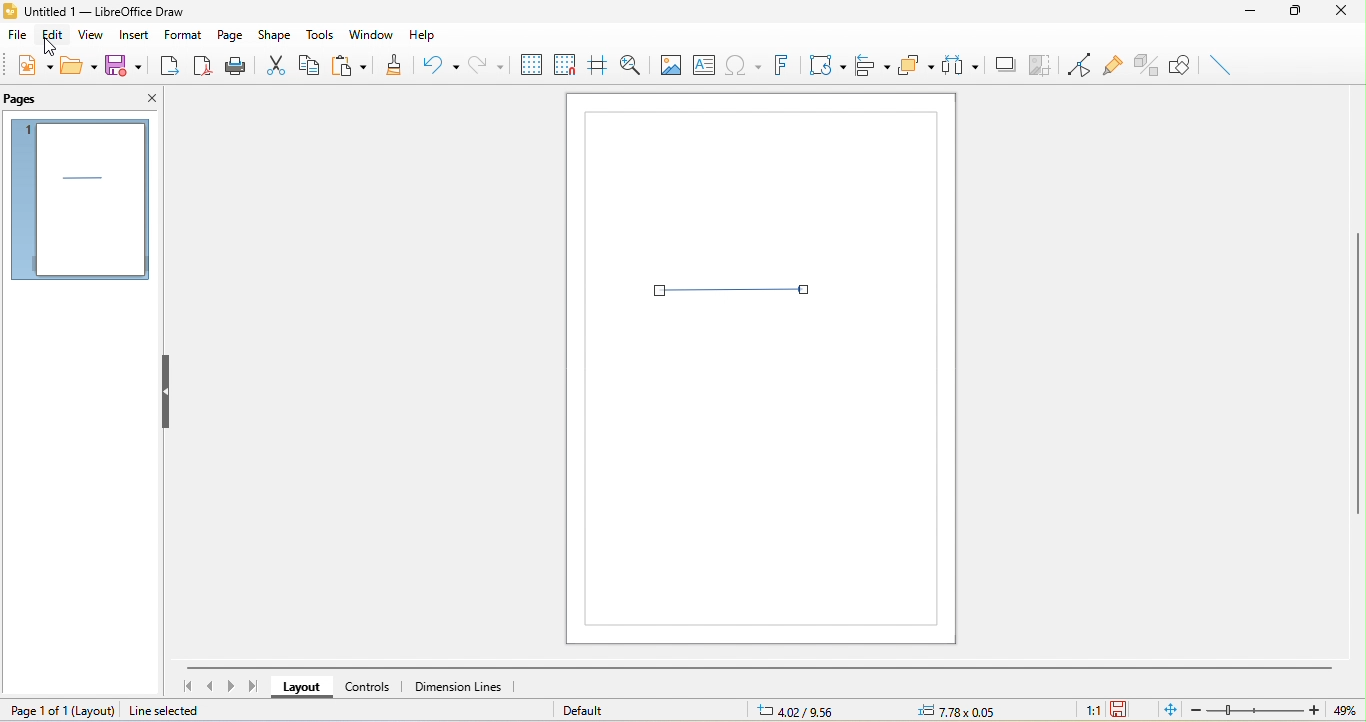 This screenshot has width=1366, height=722. What do you see at coordinates (29, 99) in the screenshot?
I see `pages` at bounding box center [29, 99].